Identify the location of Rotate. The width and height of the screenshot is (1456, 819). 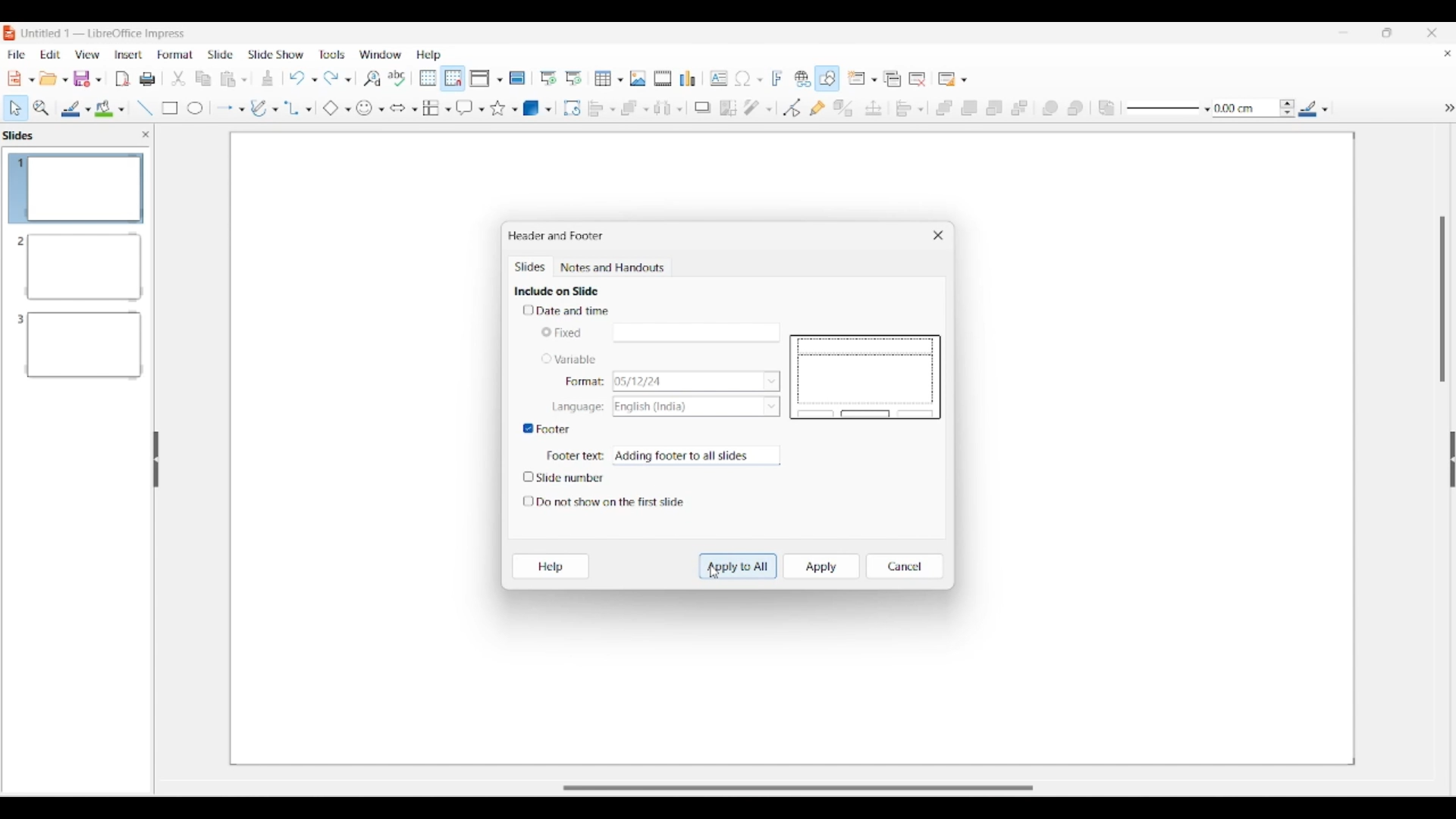
(573, 108).